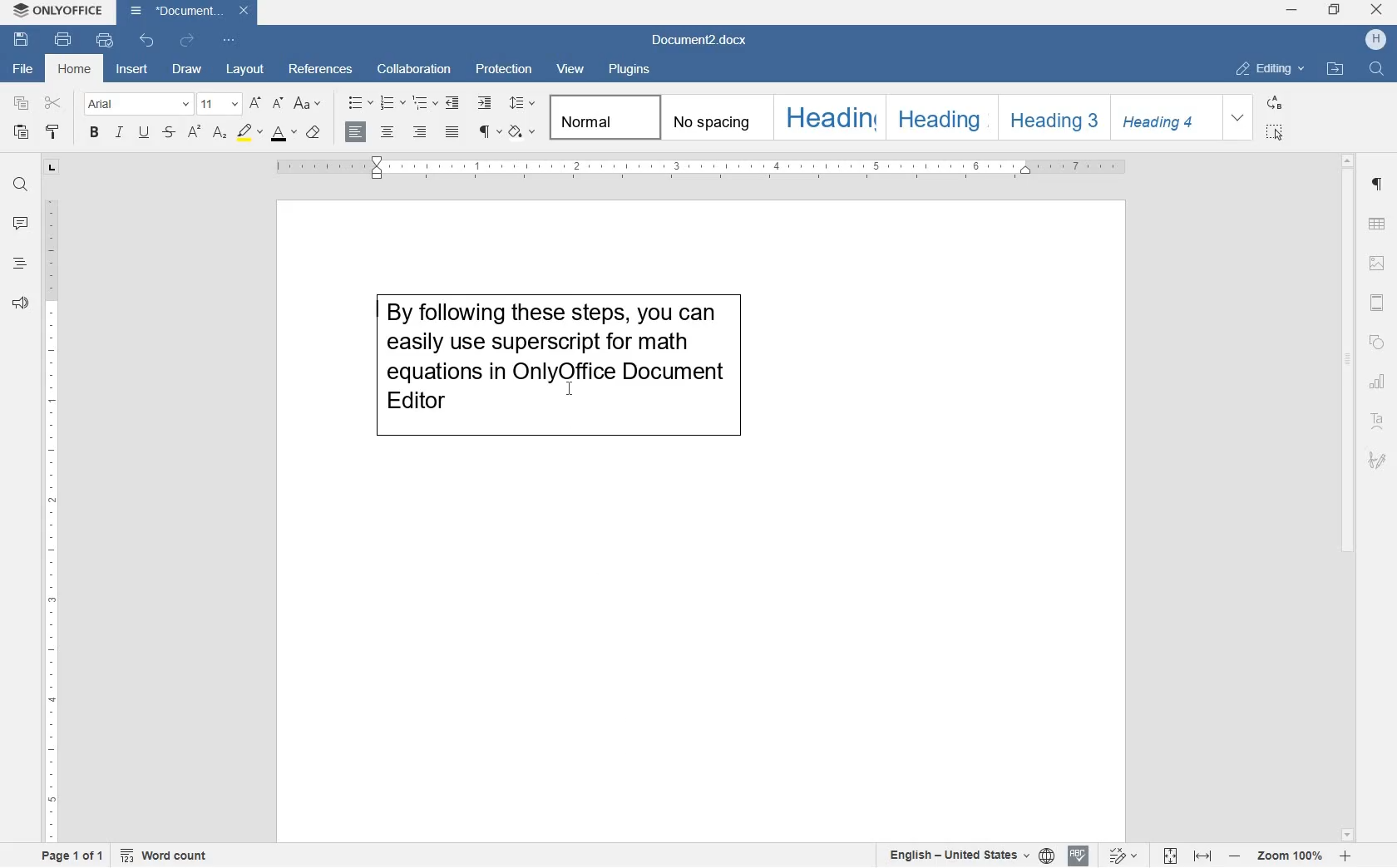  Describe the element at coordinates (968, 856) in the screenshot. I see `select document/text language` at that location.